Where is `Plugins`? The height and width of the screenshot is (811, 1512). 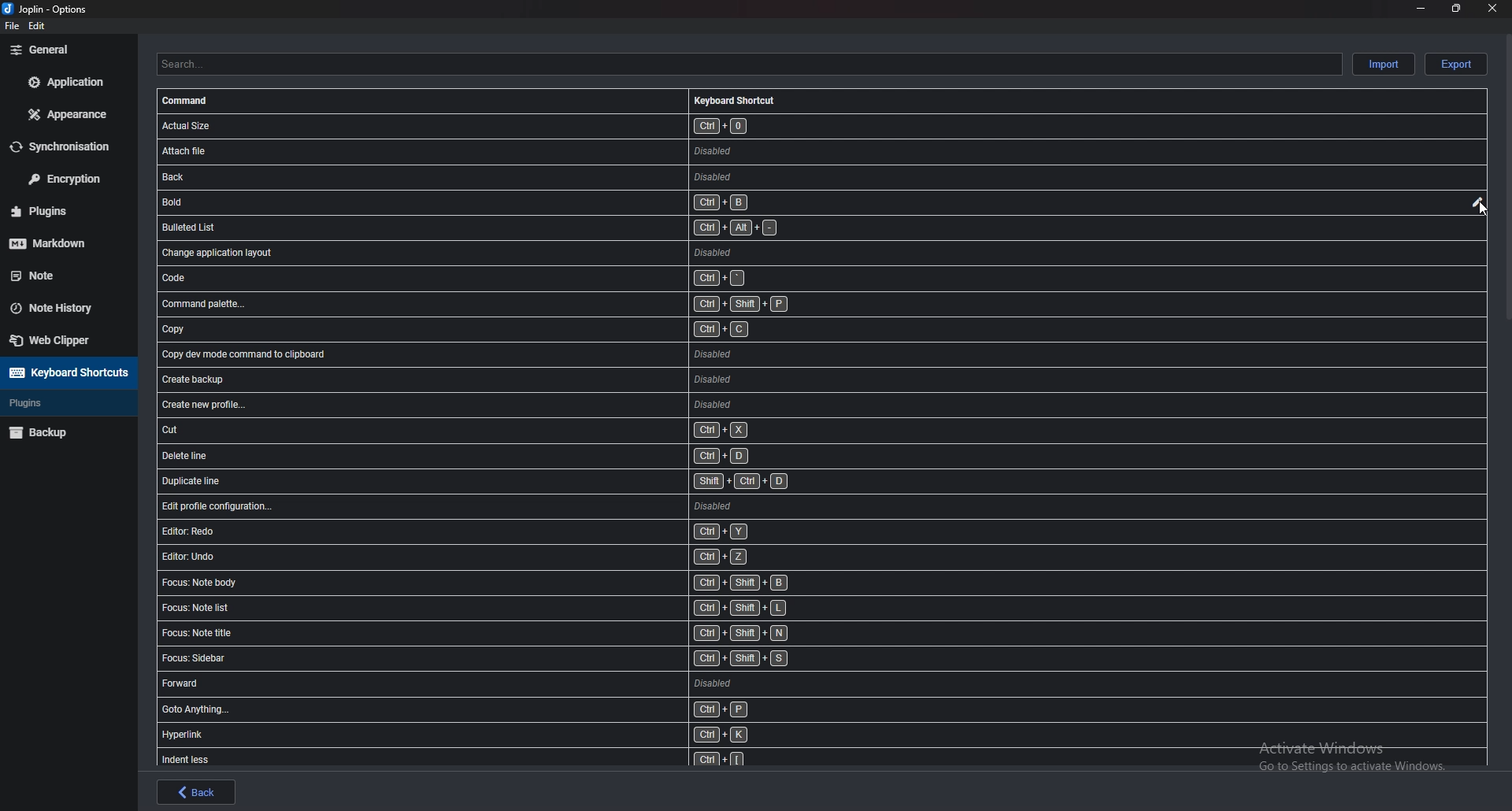
Plugins is located at coordinates (62, 402).